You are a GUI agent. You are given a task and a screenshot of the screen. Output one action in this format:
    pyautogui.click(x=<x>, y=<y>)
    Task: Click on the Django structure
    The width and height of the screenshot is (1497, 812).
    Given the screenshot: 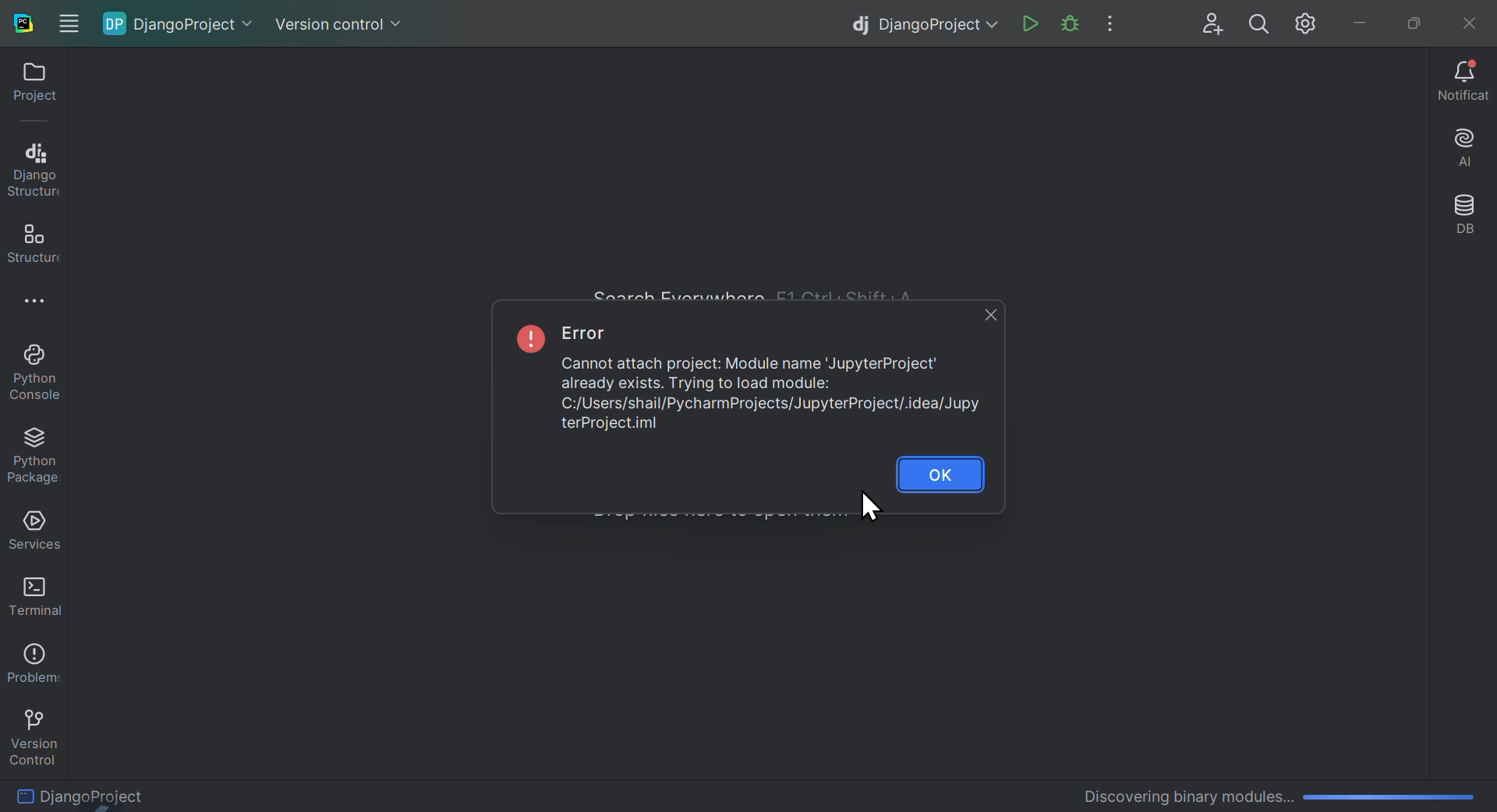 What is the action you would take?
    pyautogui.click(x=33, y=167)
    